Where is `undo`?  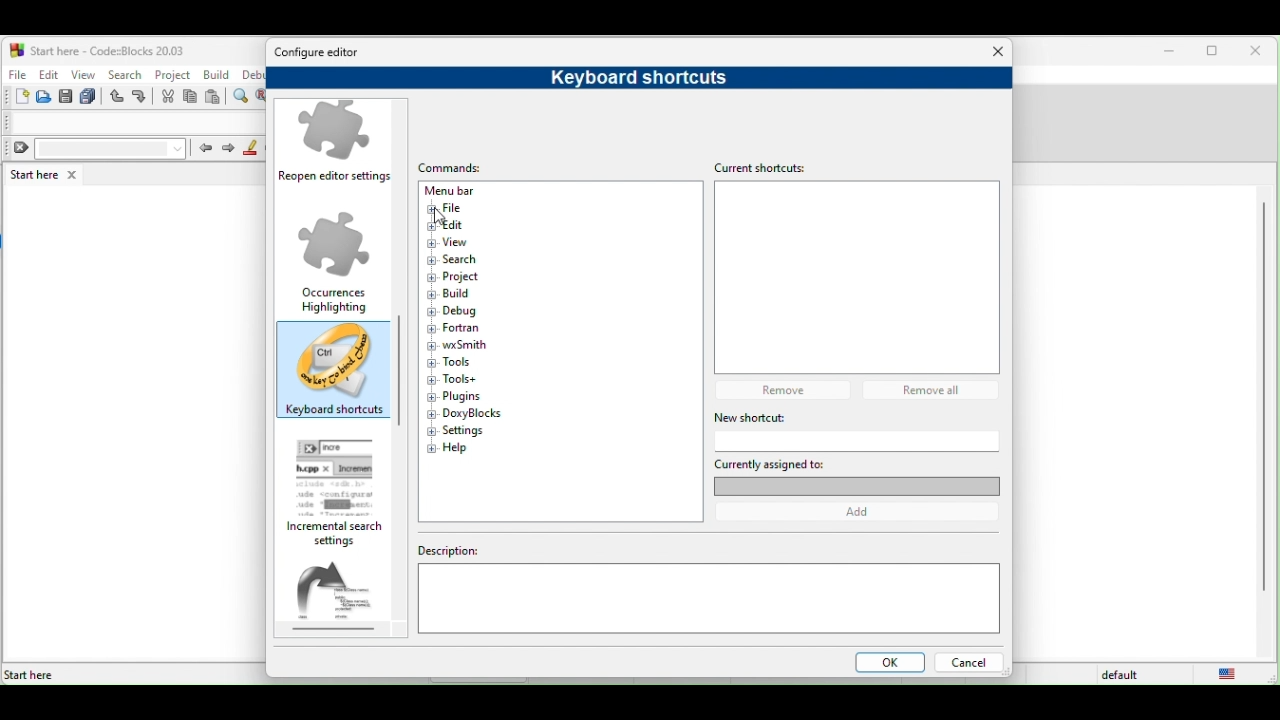 undo is located at coordinates (118, 97).